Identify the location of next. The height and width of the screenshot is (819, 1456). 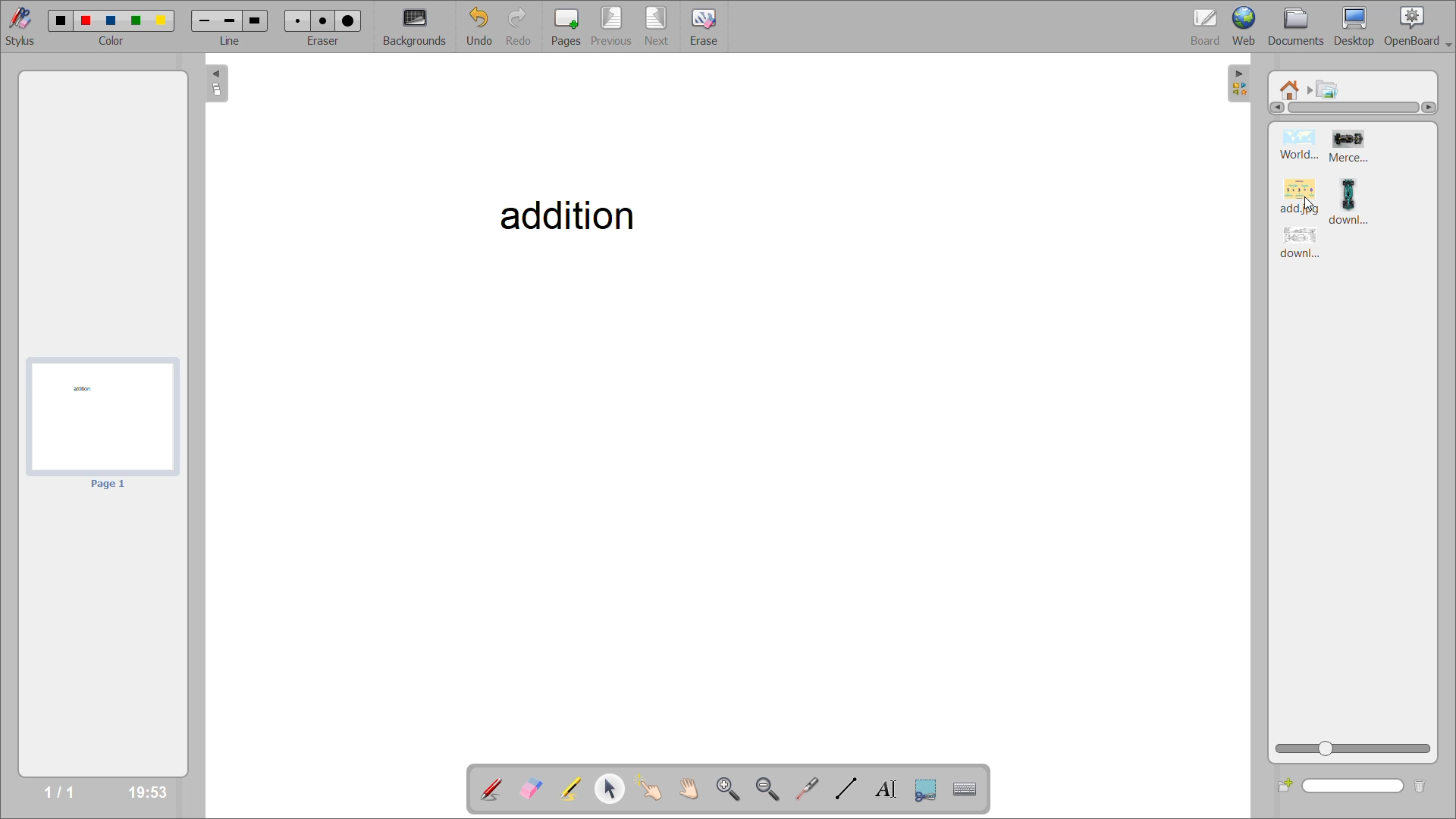
(658, 27).